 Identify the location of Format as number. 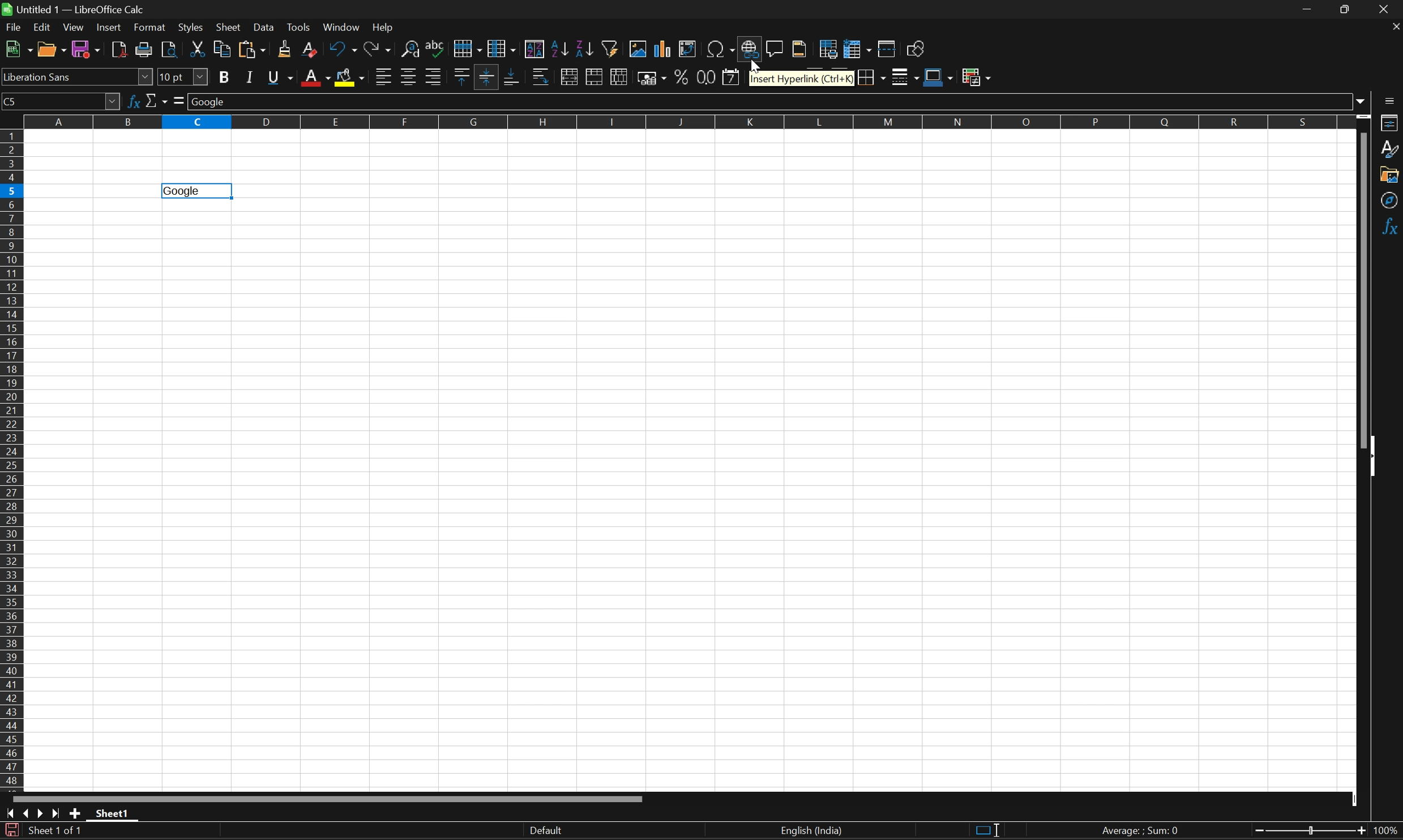
(705, 78).